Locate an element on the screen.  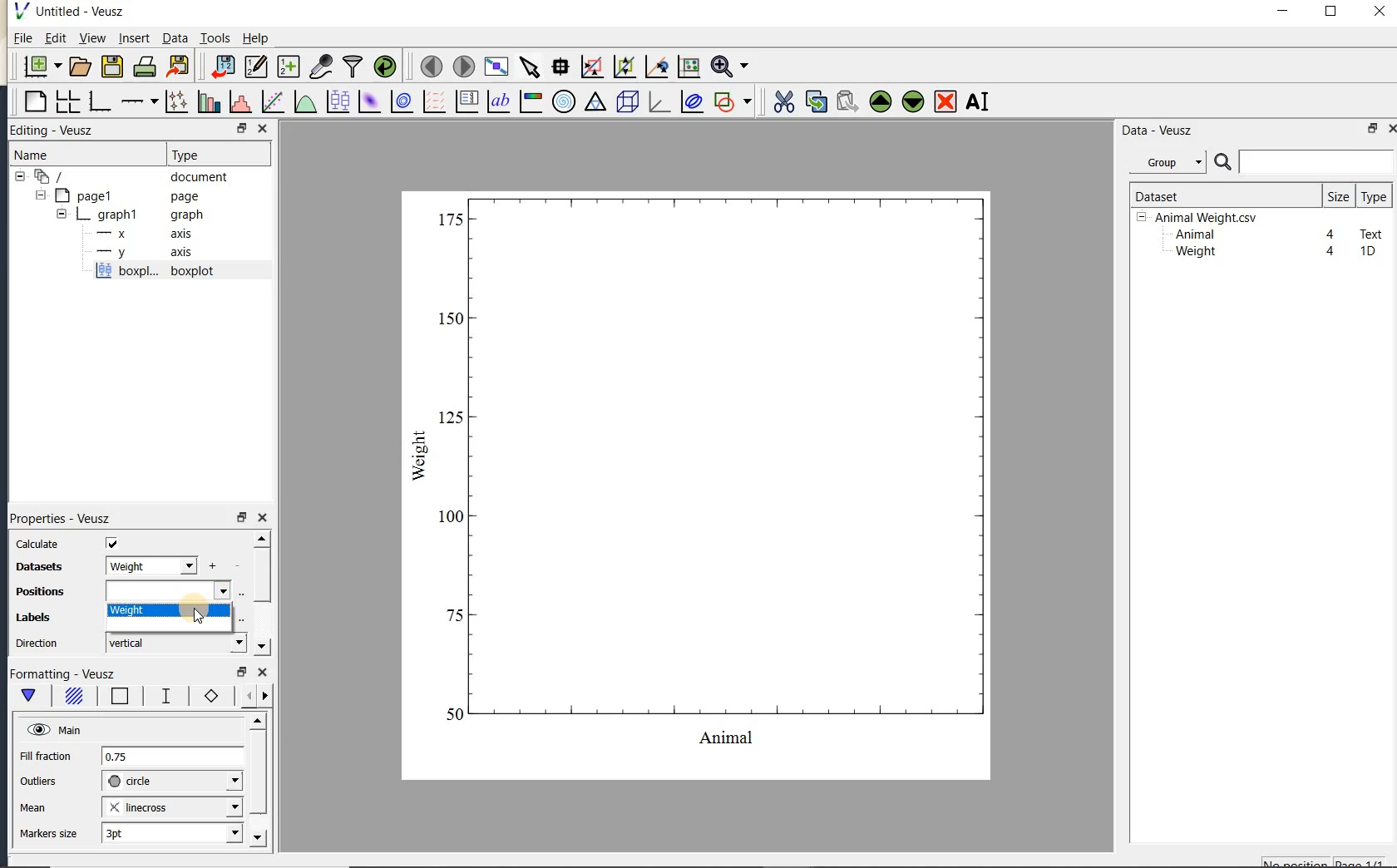
restore is located at coordinates (241, 517).